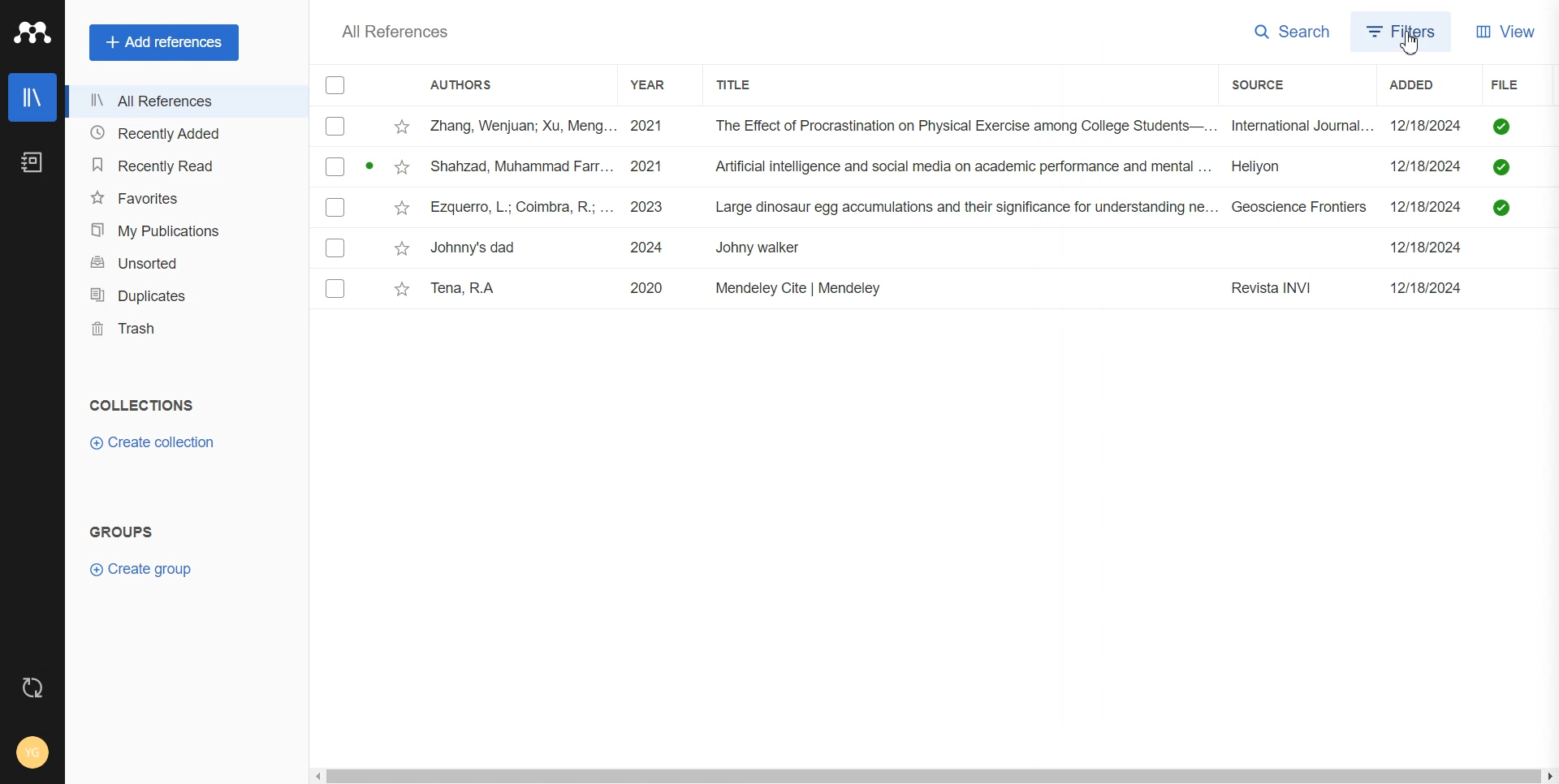 Image resolution: width=1559 pixels, height=784 pixels. What do you see at coordinates (154, 443) in the screenshot?
I see `Create Collection` at bounding box center [154, 443].